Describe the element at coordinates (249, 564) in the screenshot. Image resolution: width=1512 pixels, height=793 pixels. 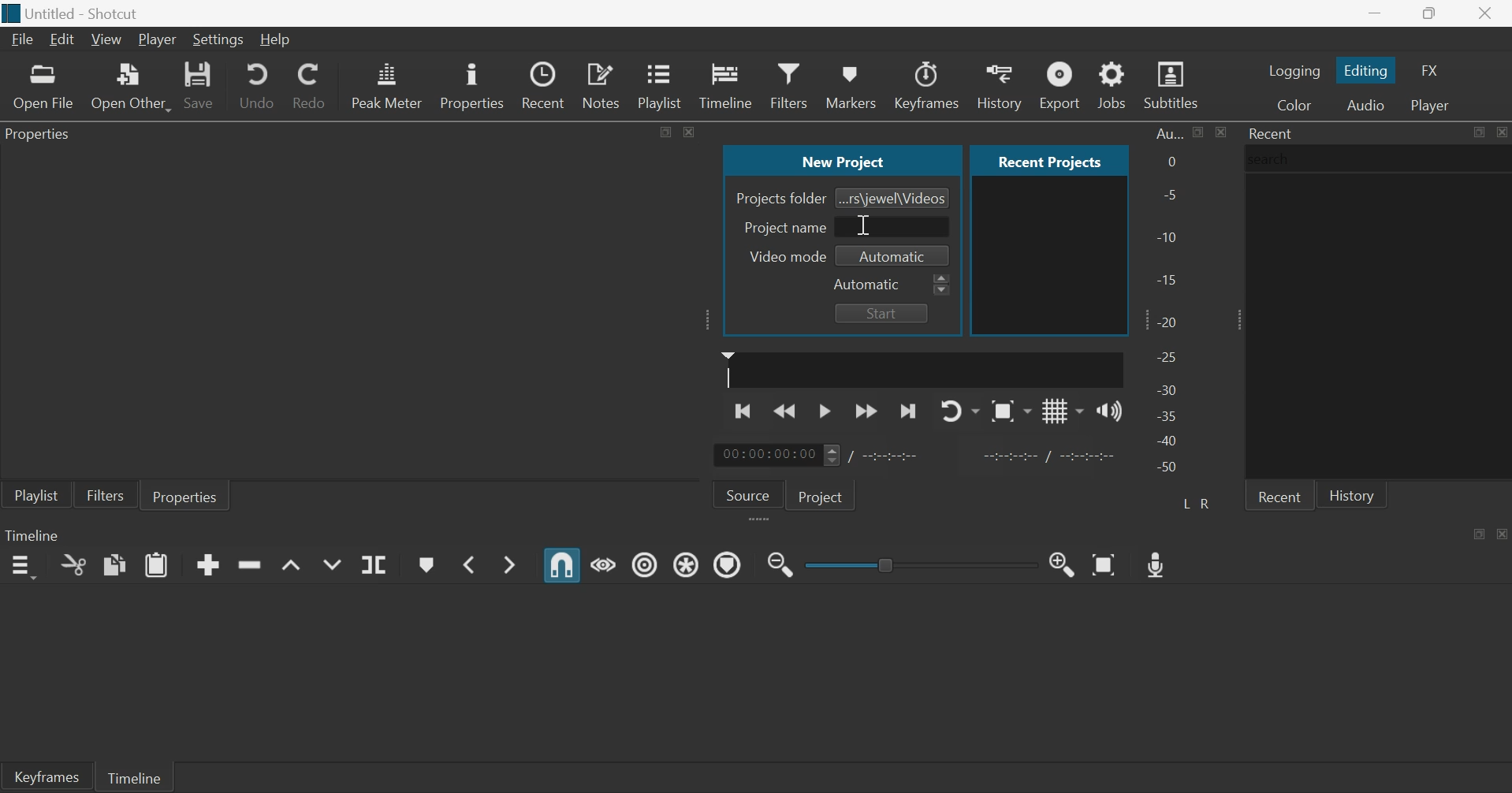
I see `Ripple delete` at that location.